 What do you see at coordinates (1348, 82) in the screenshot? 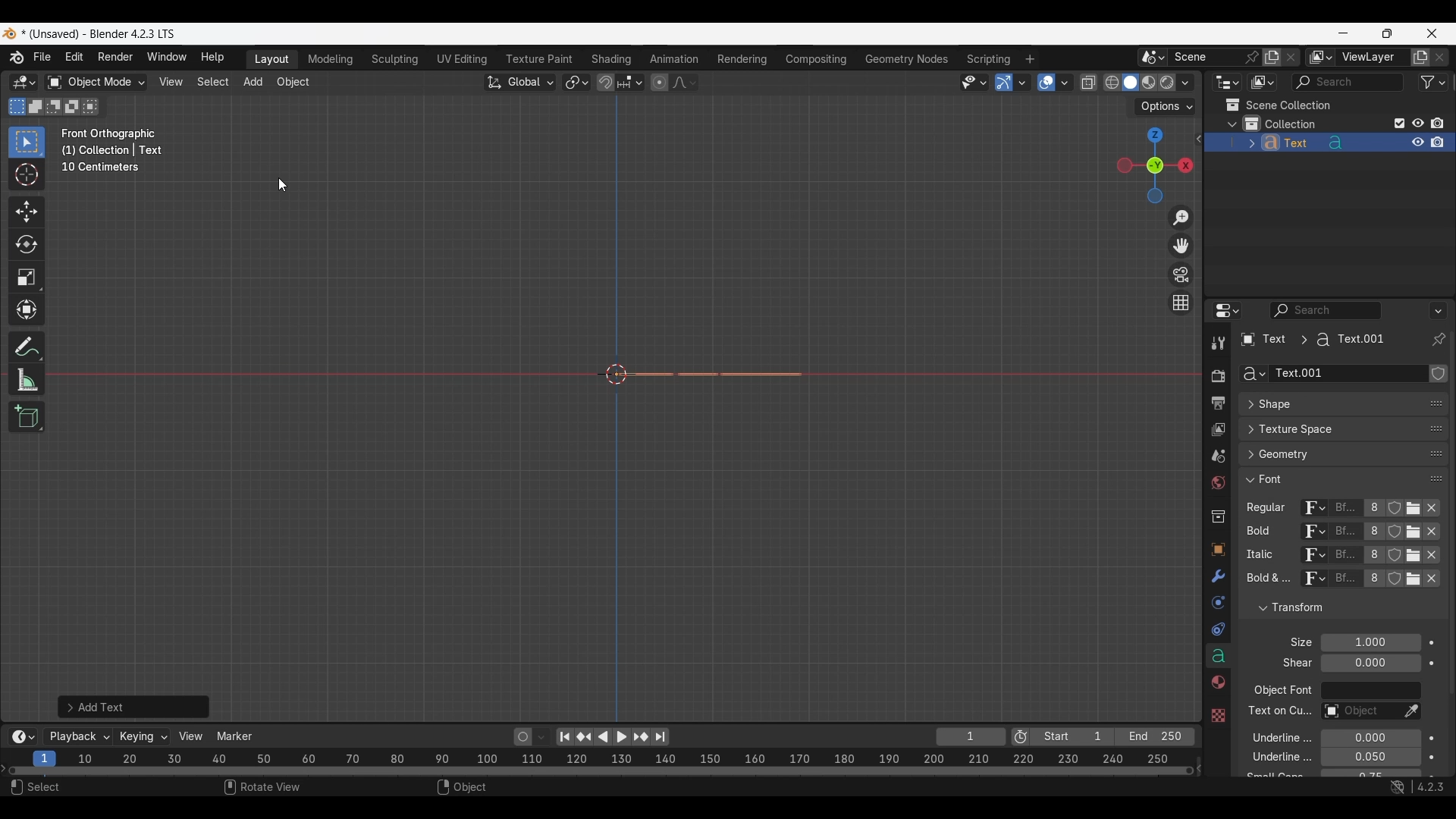
I see `Display filter` at bounding box center [1348, 82].